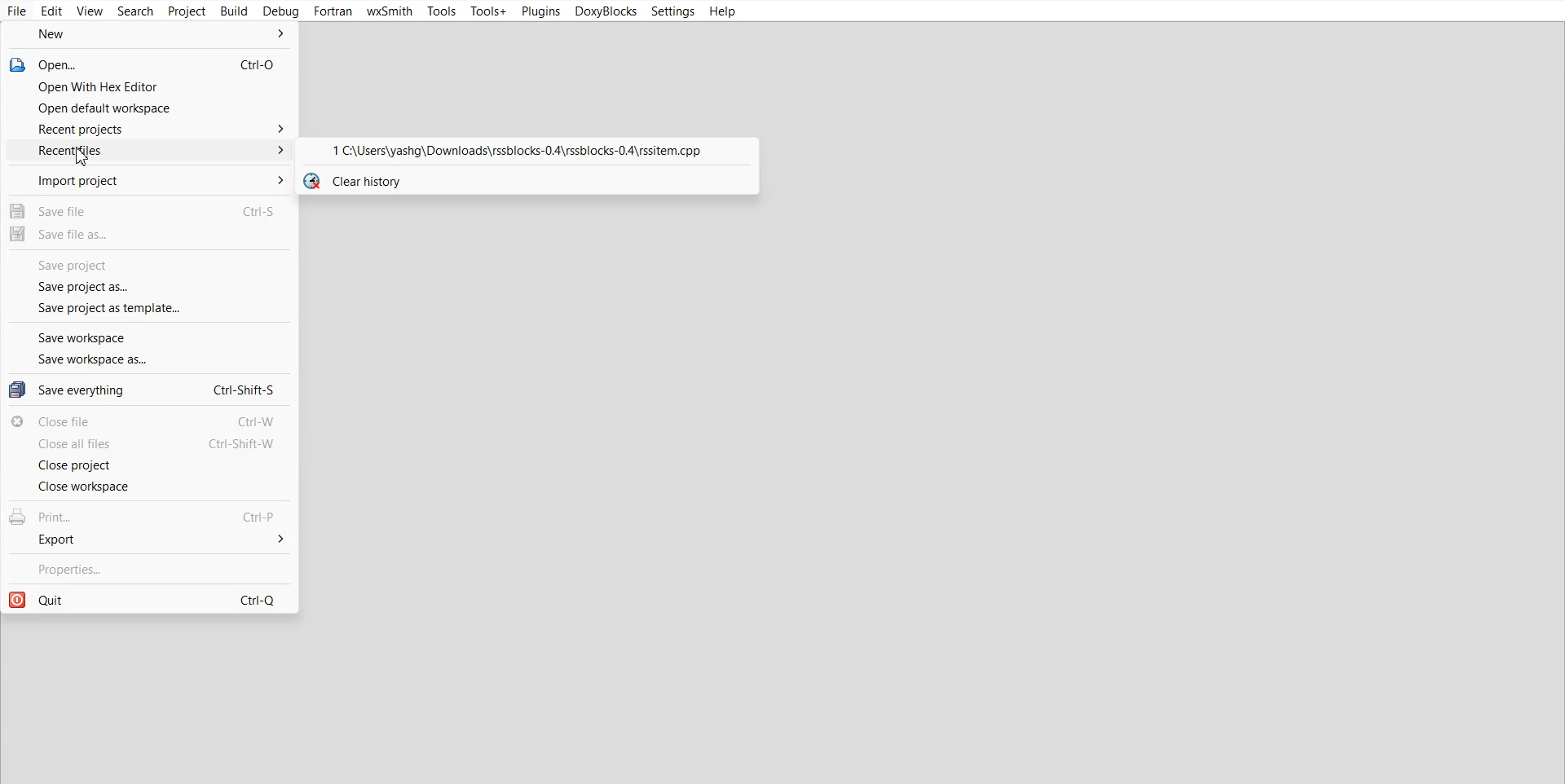  Describe the element at coordinates (333, 11) in the screenshot. I see `Fortran` at that location.